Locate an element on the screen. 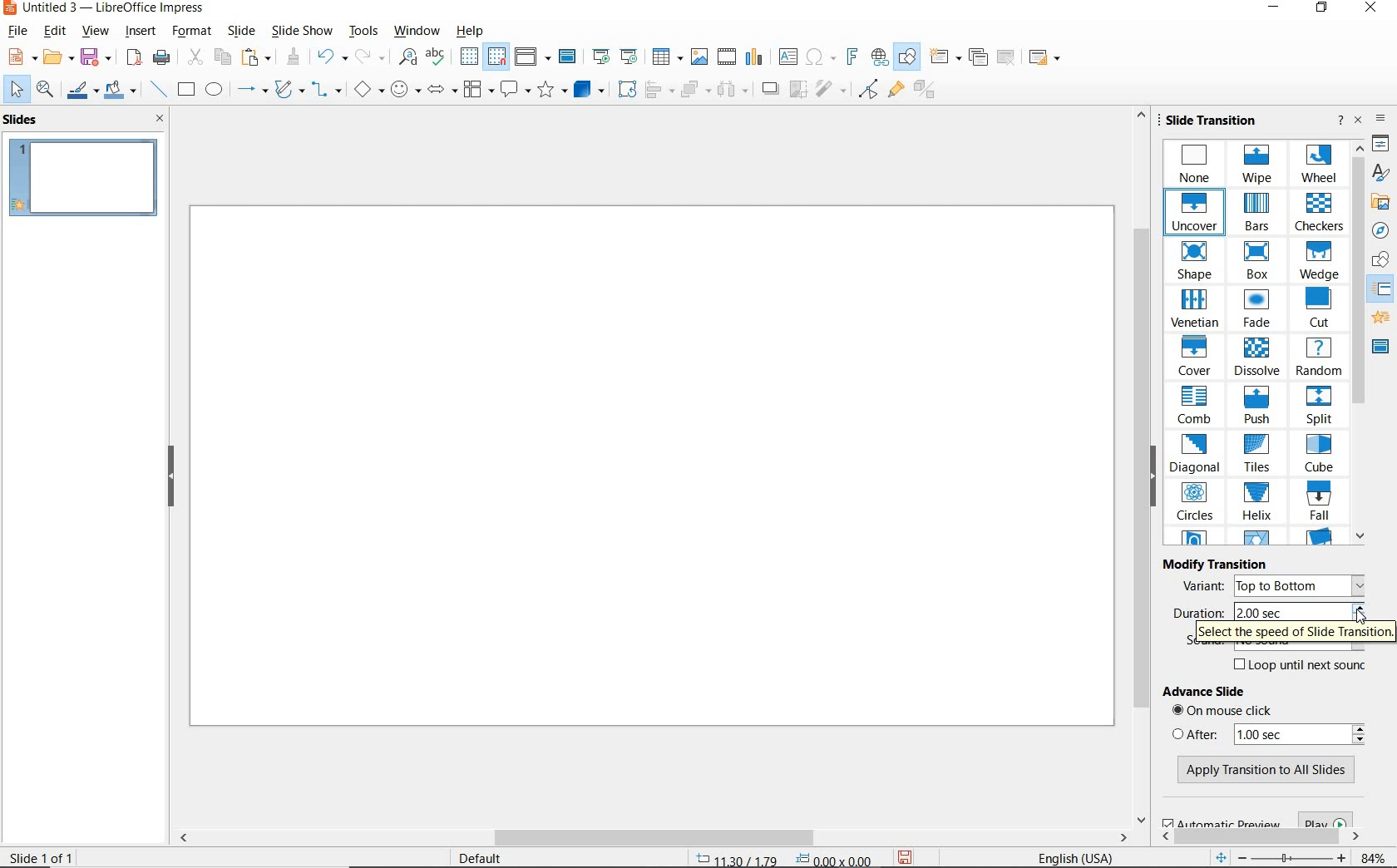 Image resolution: width=1397 pixels, height=868 pixels. INSERT HYPERLINK is located at coordinates (879, 57).